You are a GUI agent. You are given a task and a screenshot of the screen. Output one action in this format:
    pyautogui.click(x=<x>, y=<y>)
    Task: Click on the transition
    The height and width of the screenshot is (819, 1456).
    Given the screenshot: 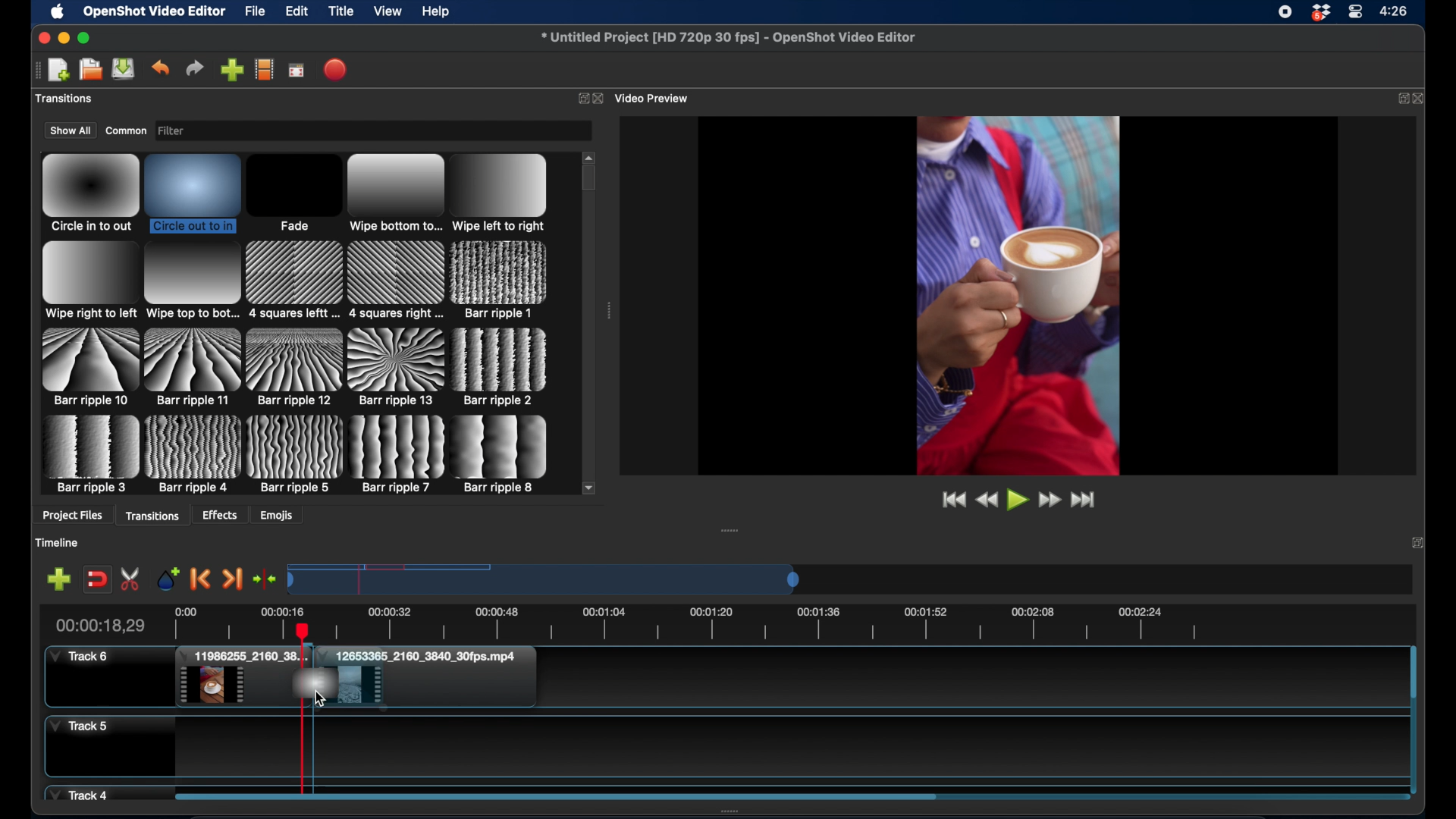 What is the action you would take?
    pyautogui.click(x=88, y=366)
    